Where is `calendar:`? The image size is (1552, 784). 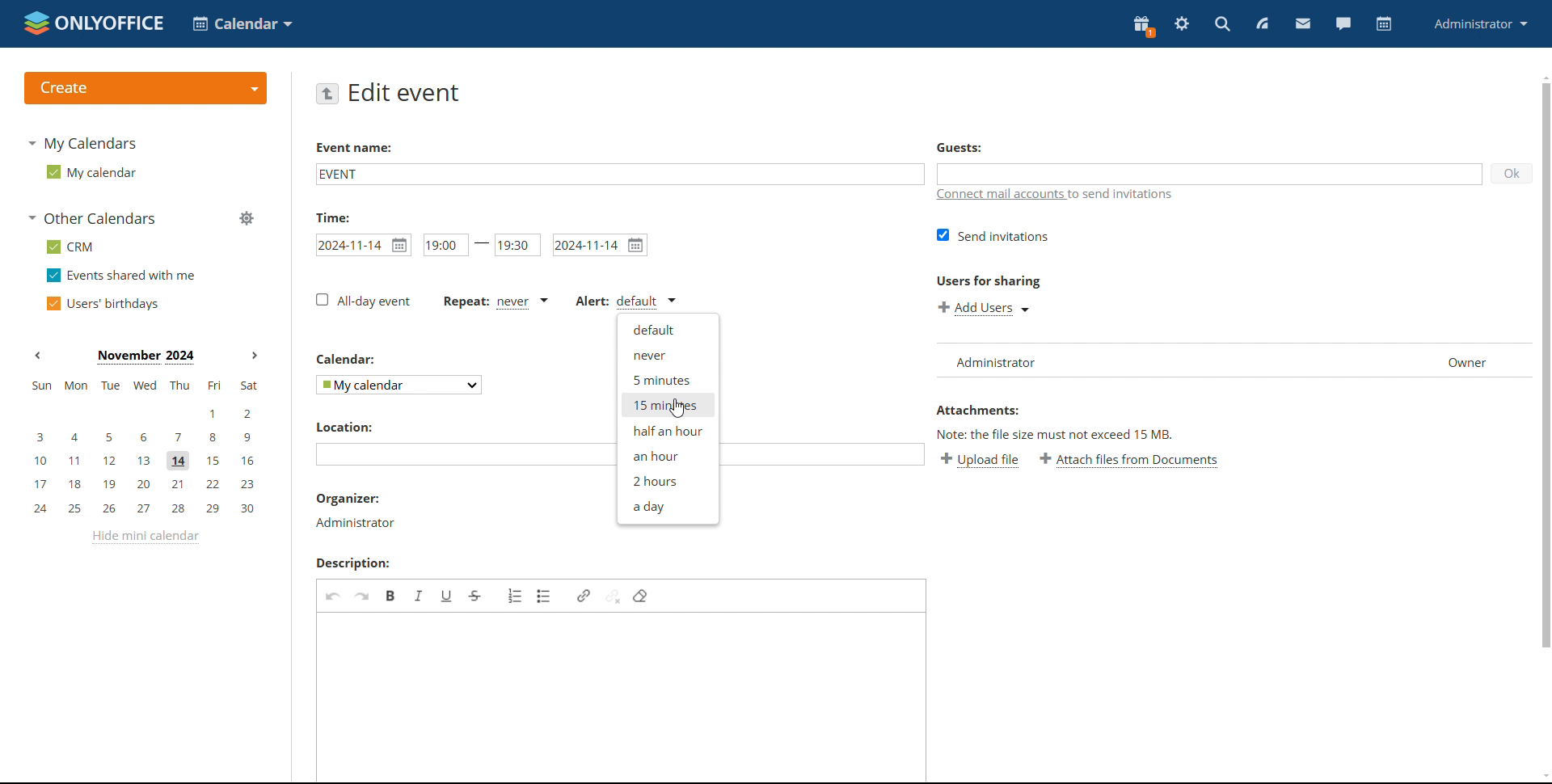 calendar: is located at coordinates (349, 358).